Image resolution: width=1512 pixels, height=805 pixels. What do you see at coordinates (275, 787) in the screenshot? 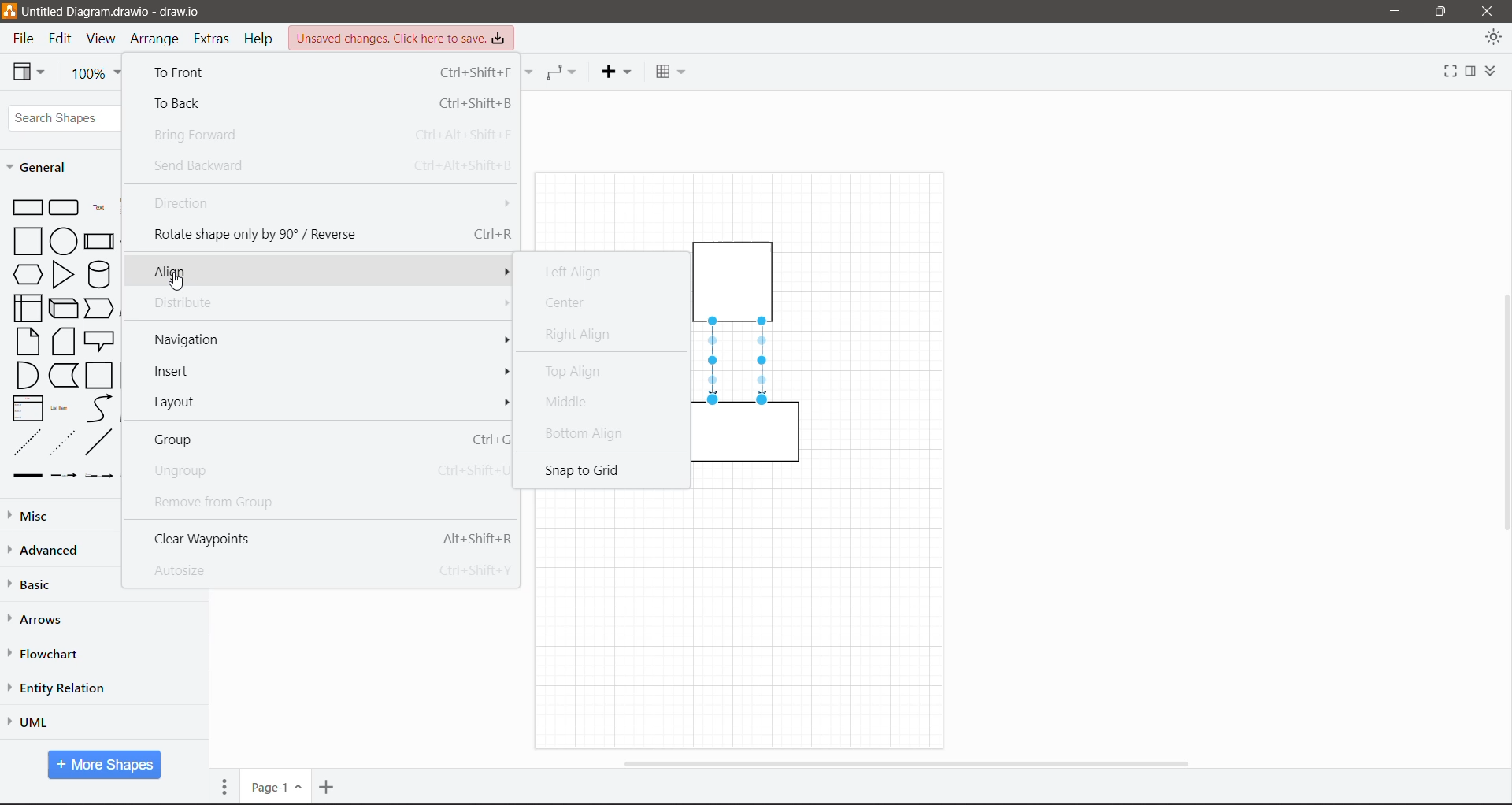
I see `Page Number` at bounding box center [275, 787].